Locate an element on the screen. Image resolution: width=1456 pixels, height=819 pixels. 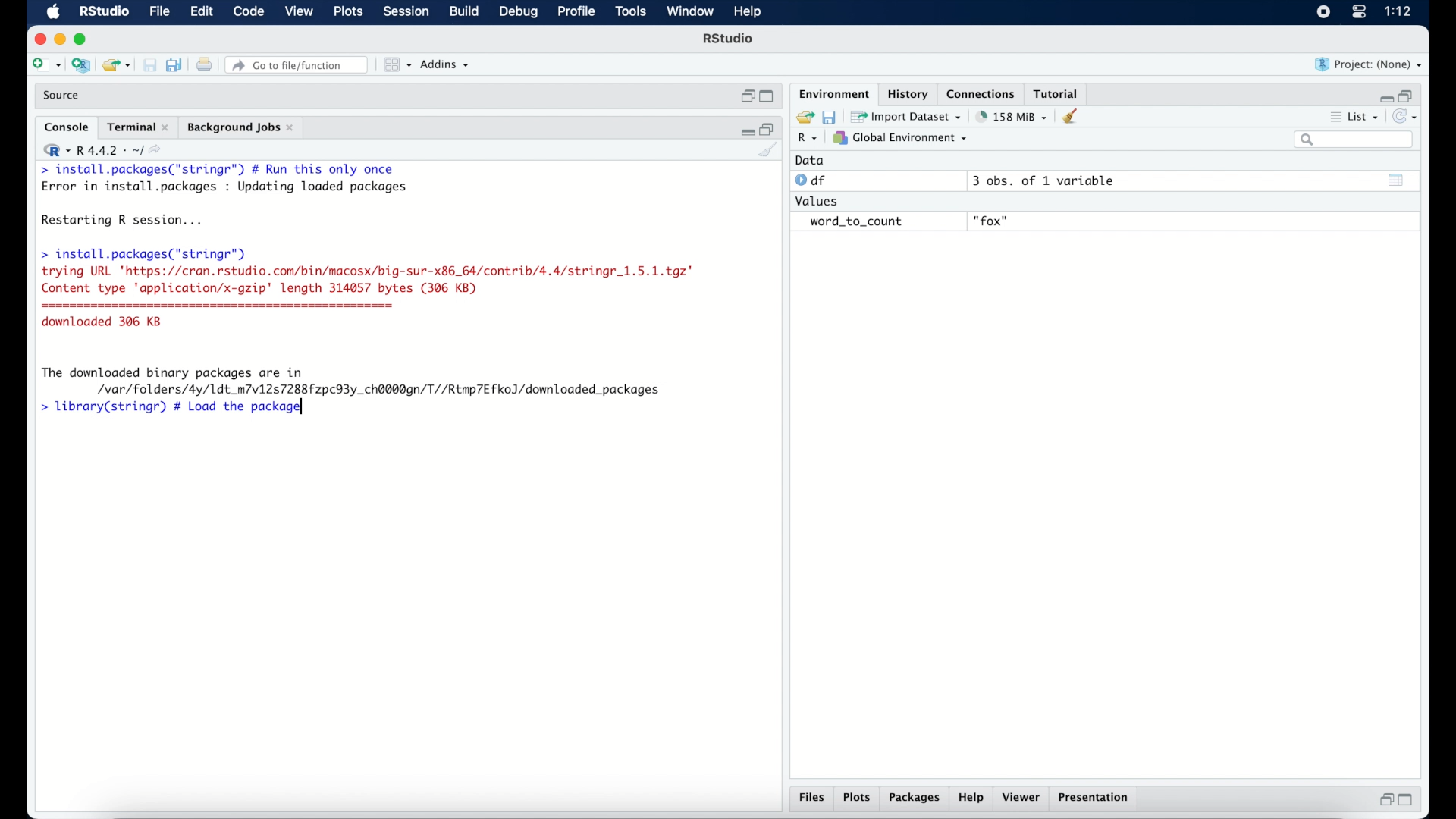
packages is located at coordinates (915, 799).